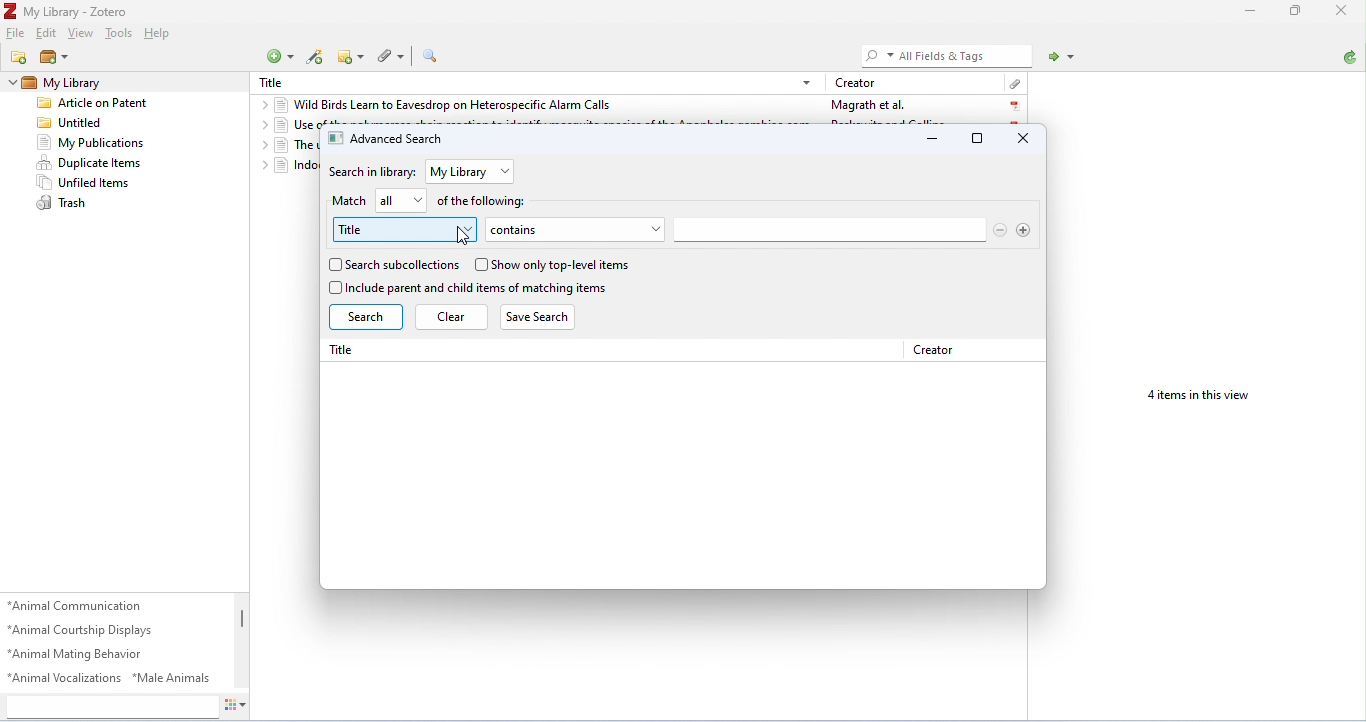 The width and height of the screenshot is (1366, 722). I want to click on drop-down, so click(262, 104).